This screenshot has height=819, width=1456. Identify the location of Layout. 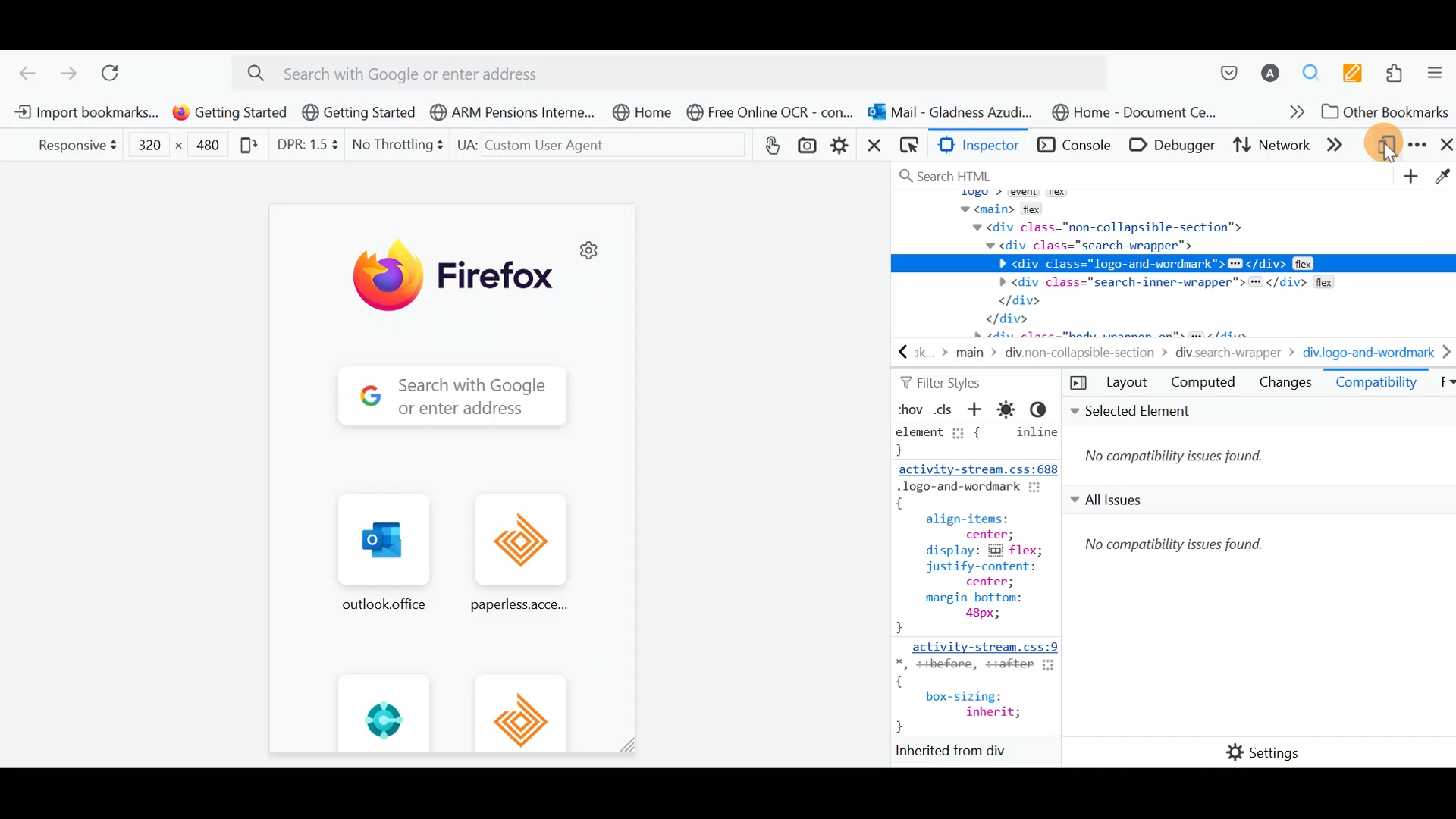
(1112, 383).